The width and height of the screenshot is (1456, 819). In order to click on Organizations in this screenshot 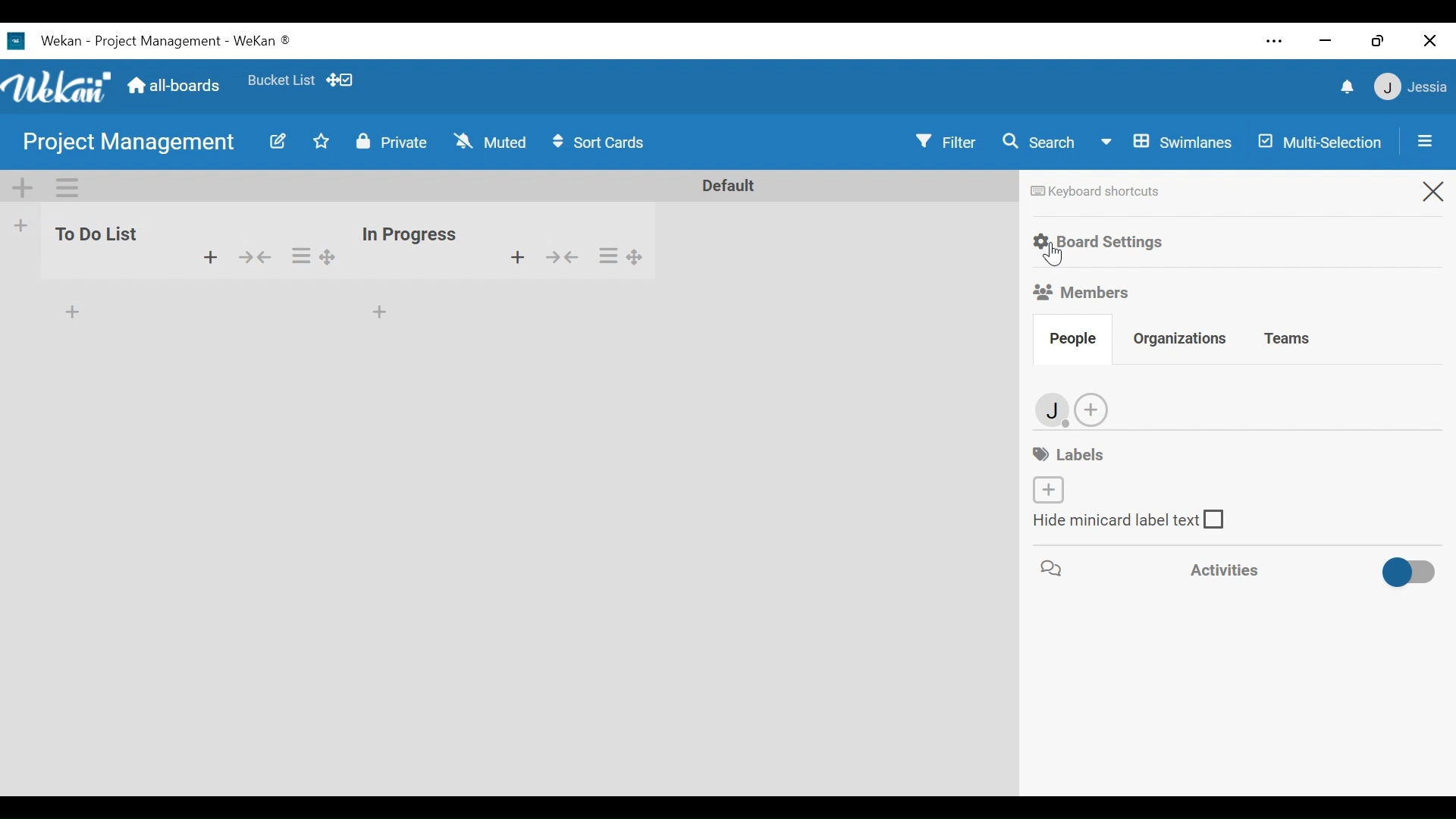, I will do `click(1181, 340)`.